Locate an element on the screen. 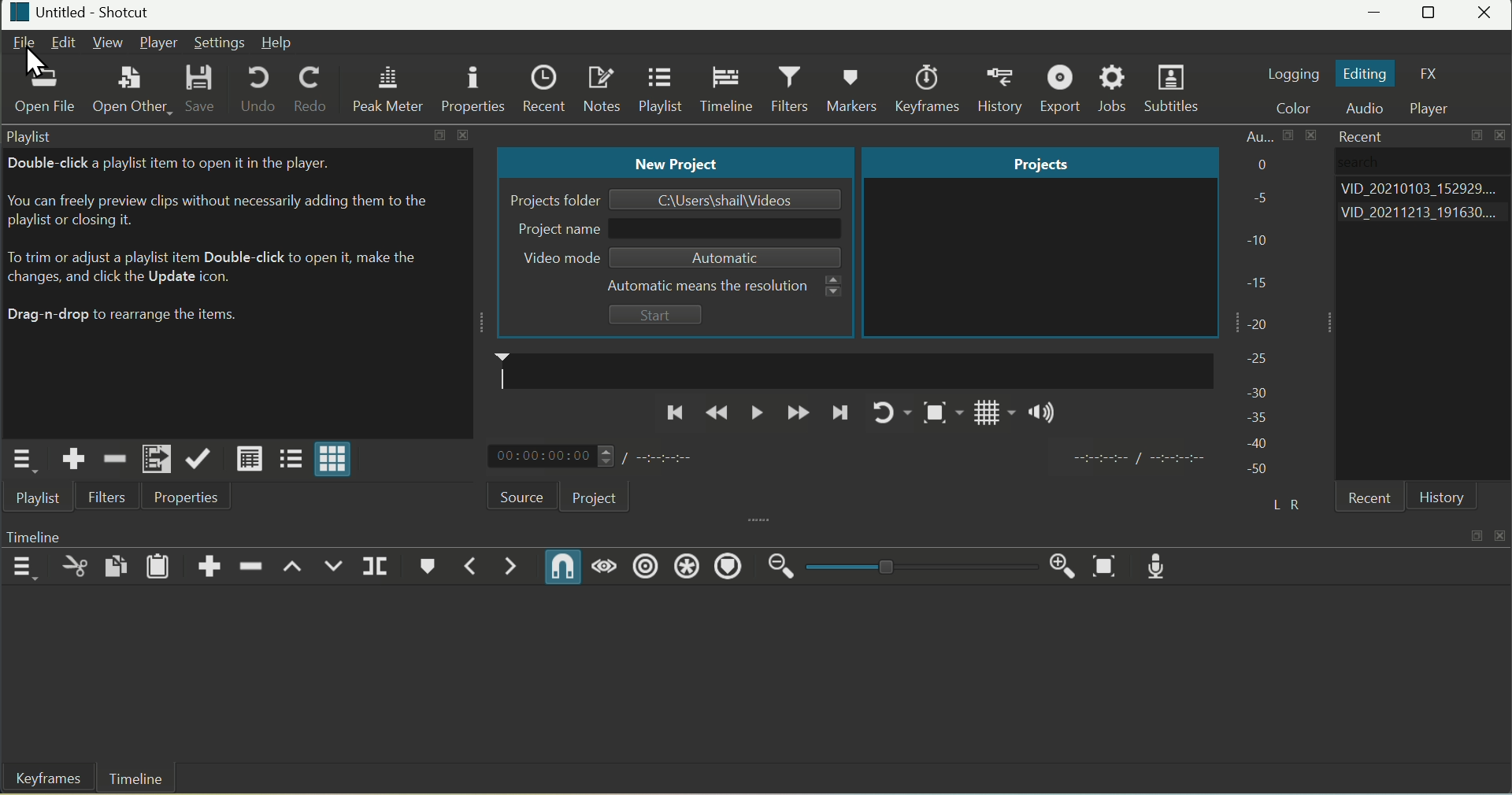 Image resolution: width=1512 pixels, height=795 pixels. Next Markeer is located at coordinates (513, 567).